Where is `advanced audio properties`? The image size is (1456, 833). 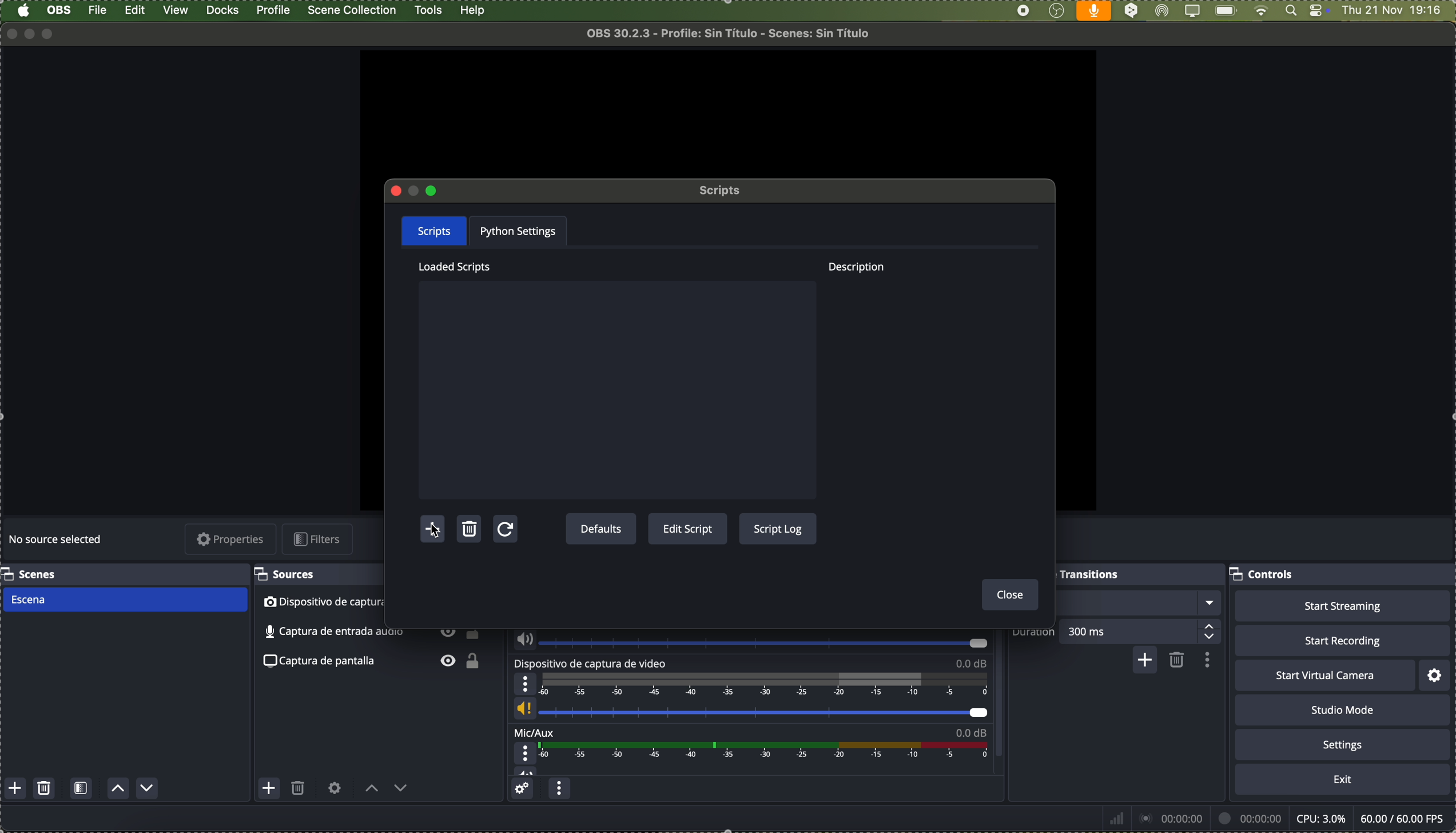 advanced audio properties is located at coordinates (524, 790).